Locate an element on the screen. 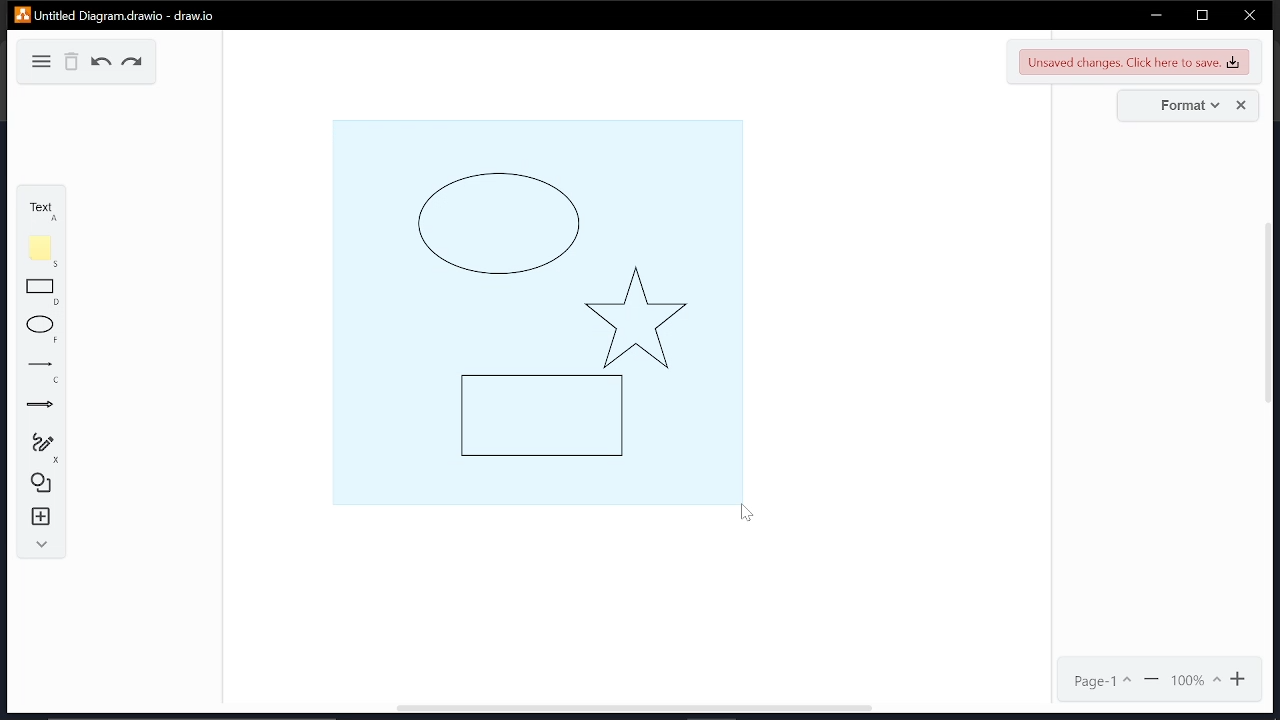 This screenshot has width=1280, height=720. zoom in is located at coordinates (1241, 679).